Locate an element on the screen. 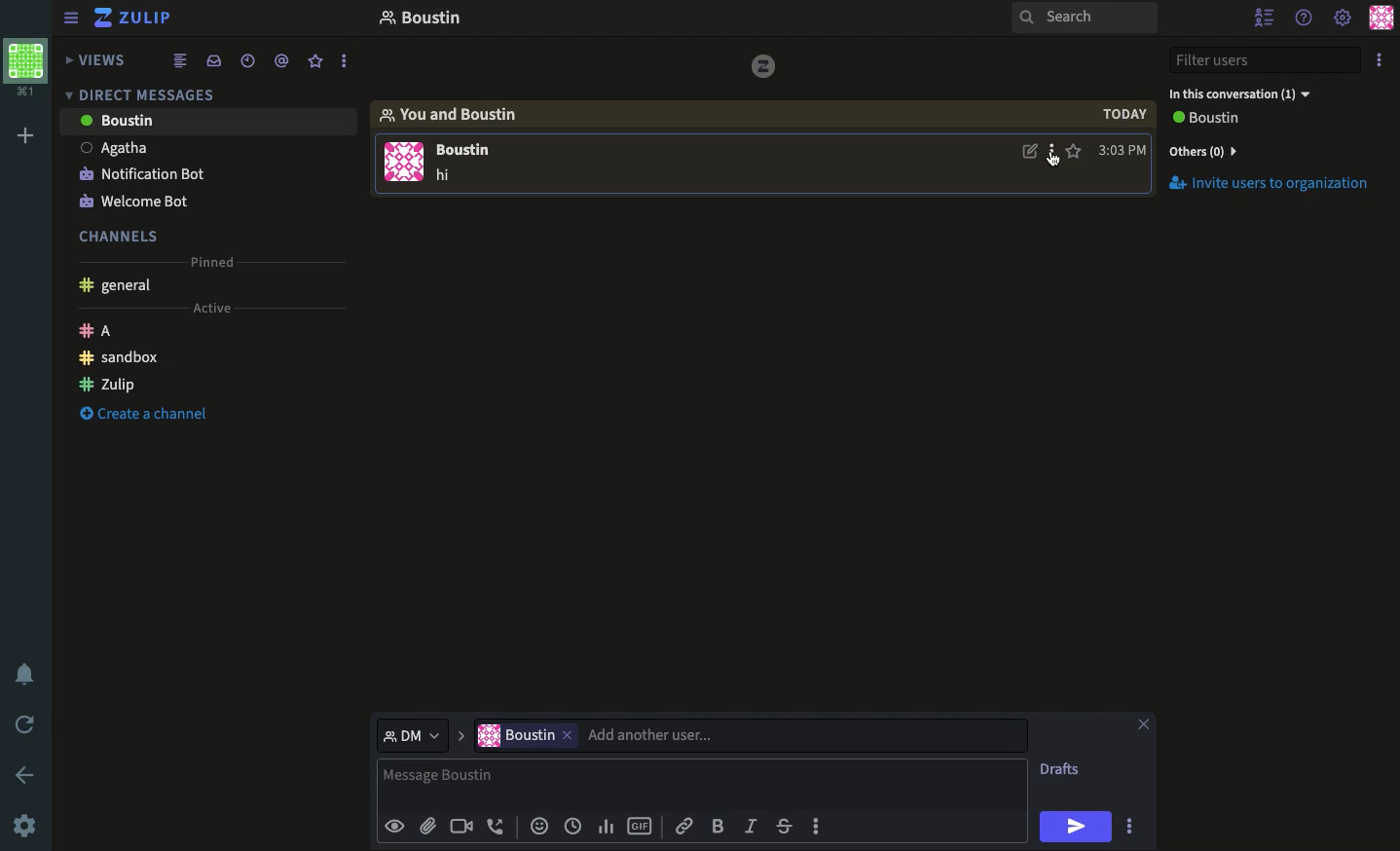  General is located at coordinates (119, 285).